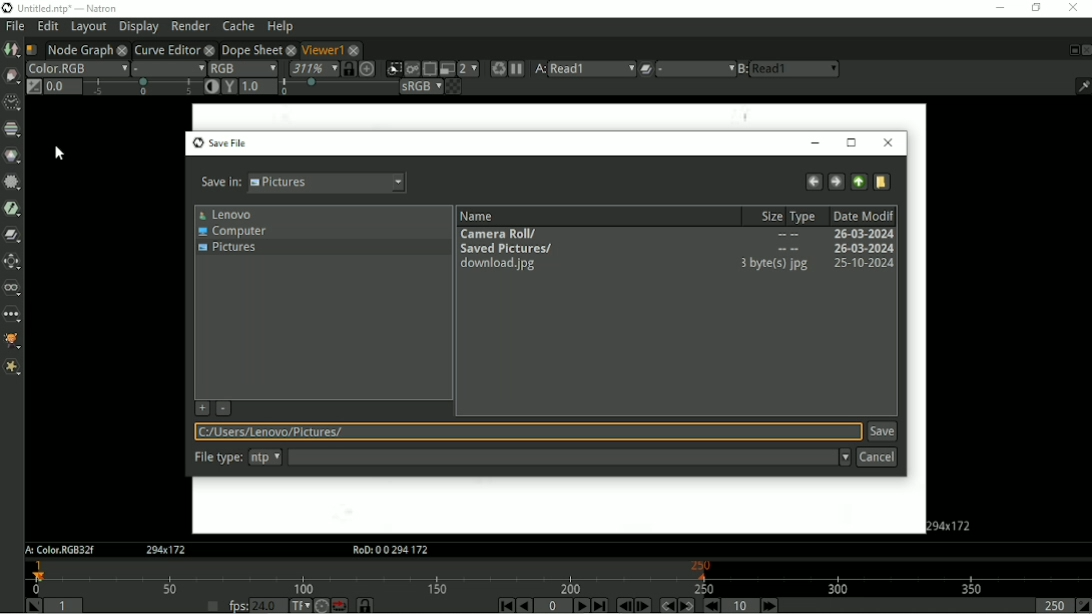 This screenshot has height=614, width=1092. What do you see at coordinates (46, 26) in the screenshot?
I see `Edit` at bounding box center [46, 26].